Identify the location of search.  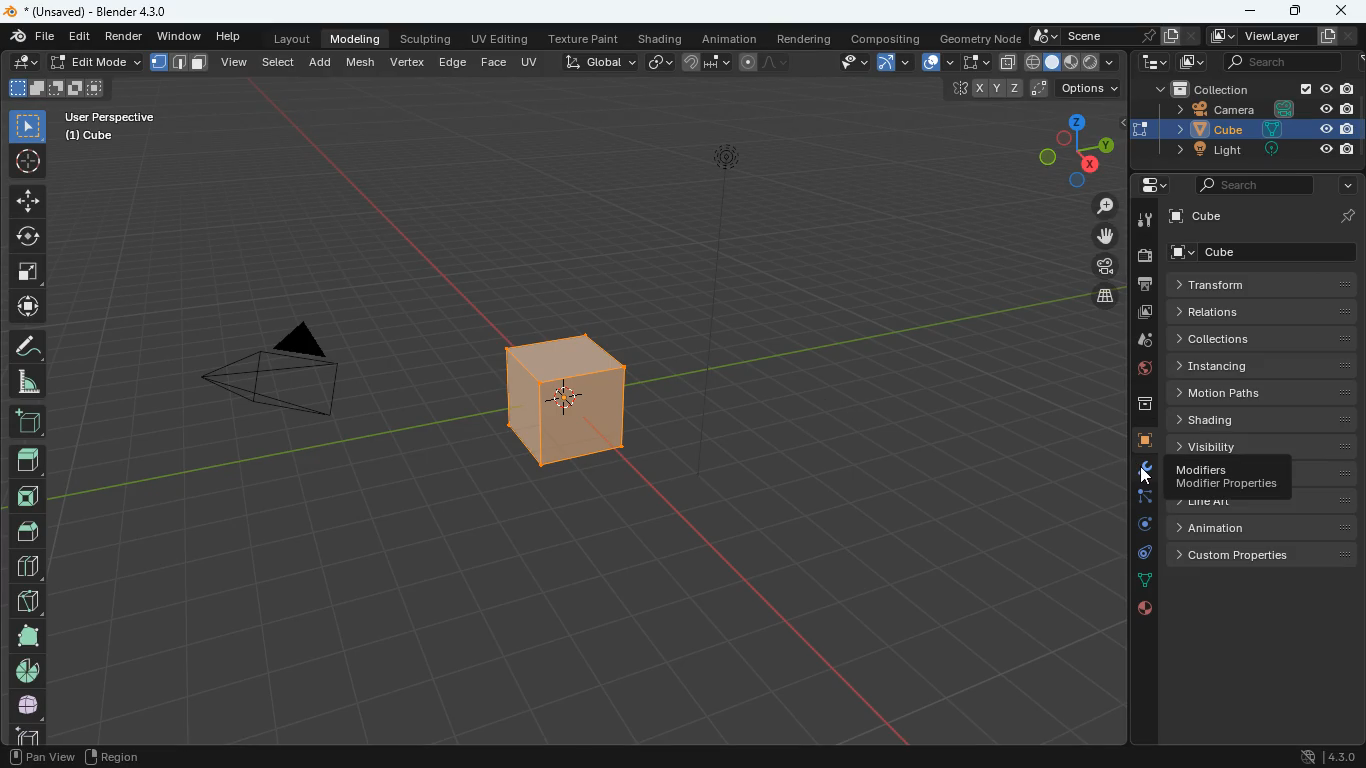
(1285, 62).